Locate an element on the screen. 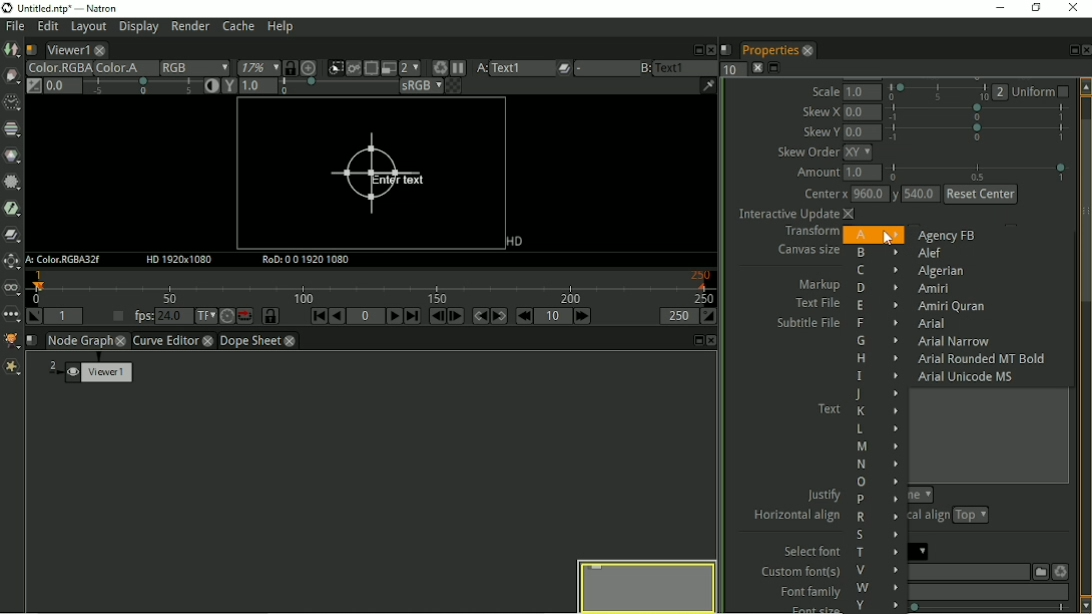 The image size is (1092, 614). Amiri is located at coordinates (935, 288).